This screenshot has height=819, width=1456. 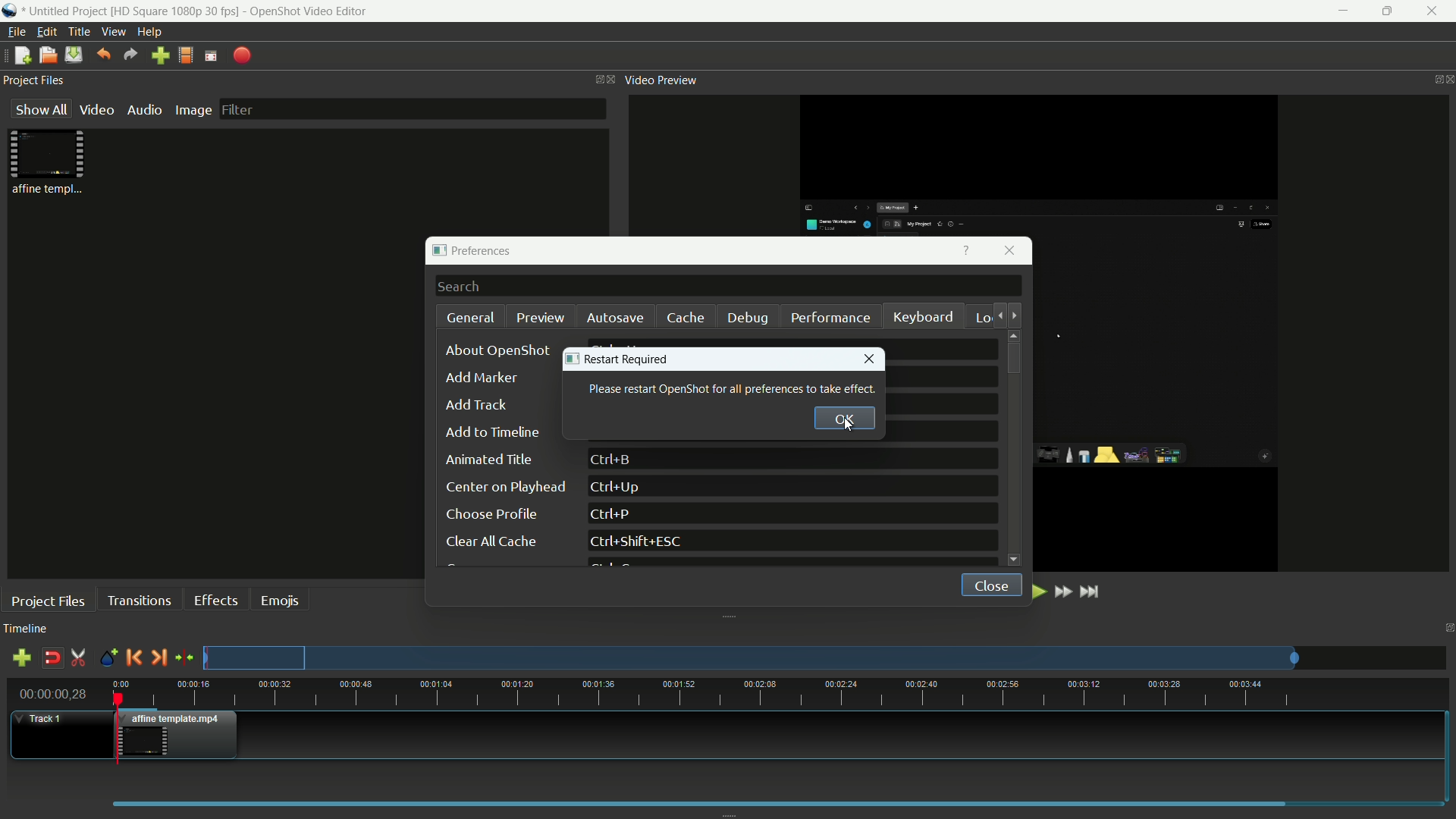 What do you see at coordinates (730, 390) in the screenshot?
I see `text` at bounding box center [730, 390].